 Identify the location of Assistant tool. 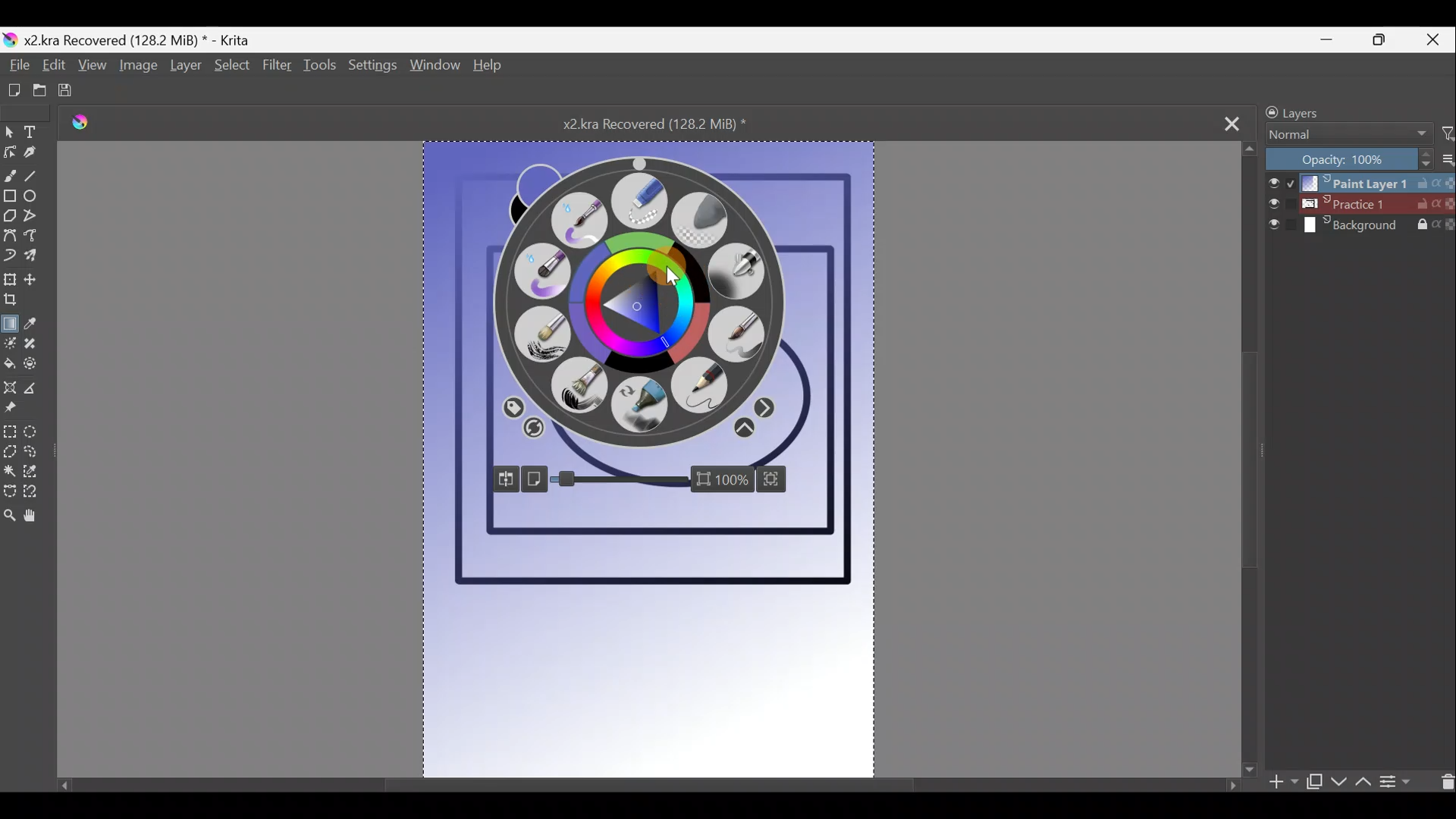
(10, 390).